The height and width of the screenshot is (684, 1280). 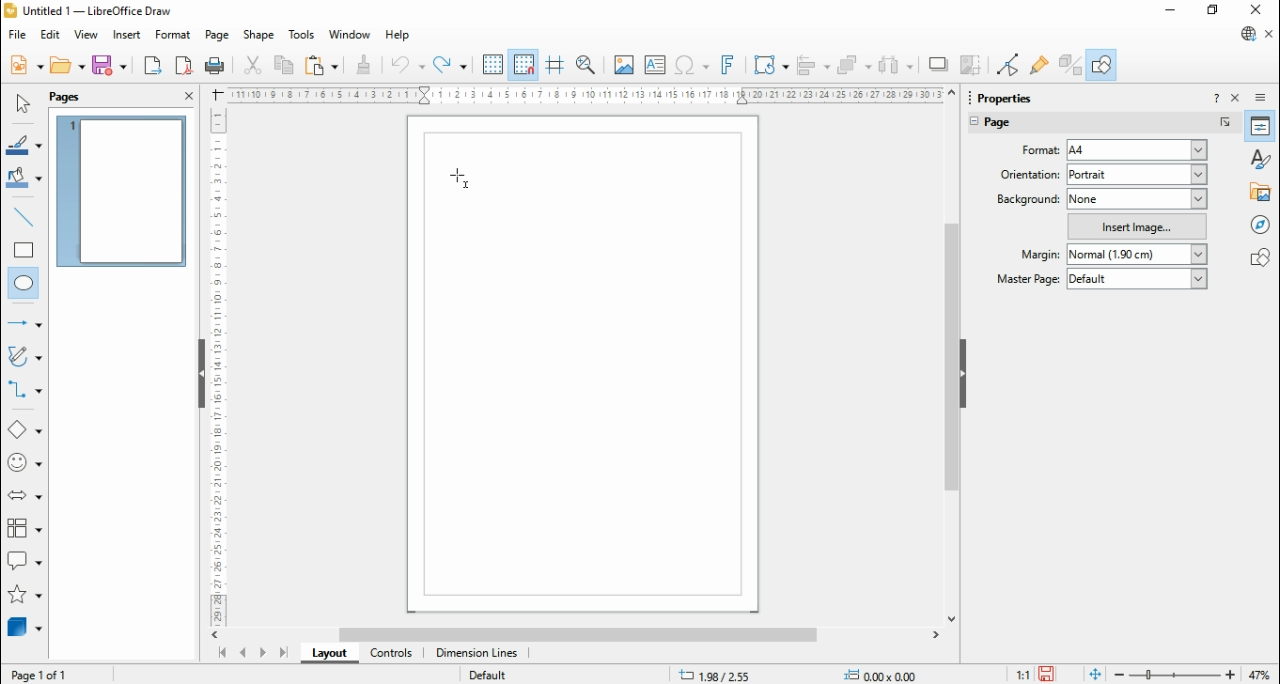 What do you see at coordinates (1095, 674) in the screenshot?
I see `fir page to current window` at bounding box center [1095, 674].